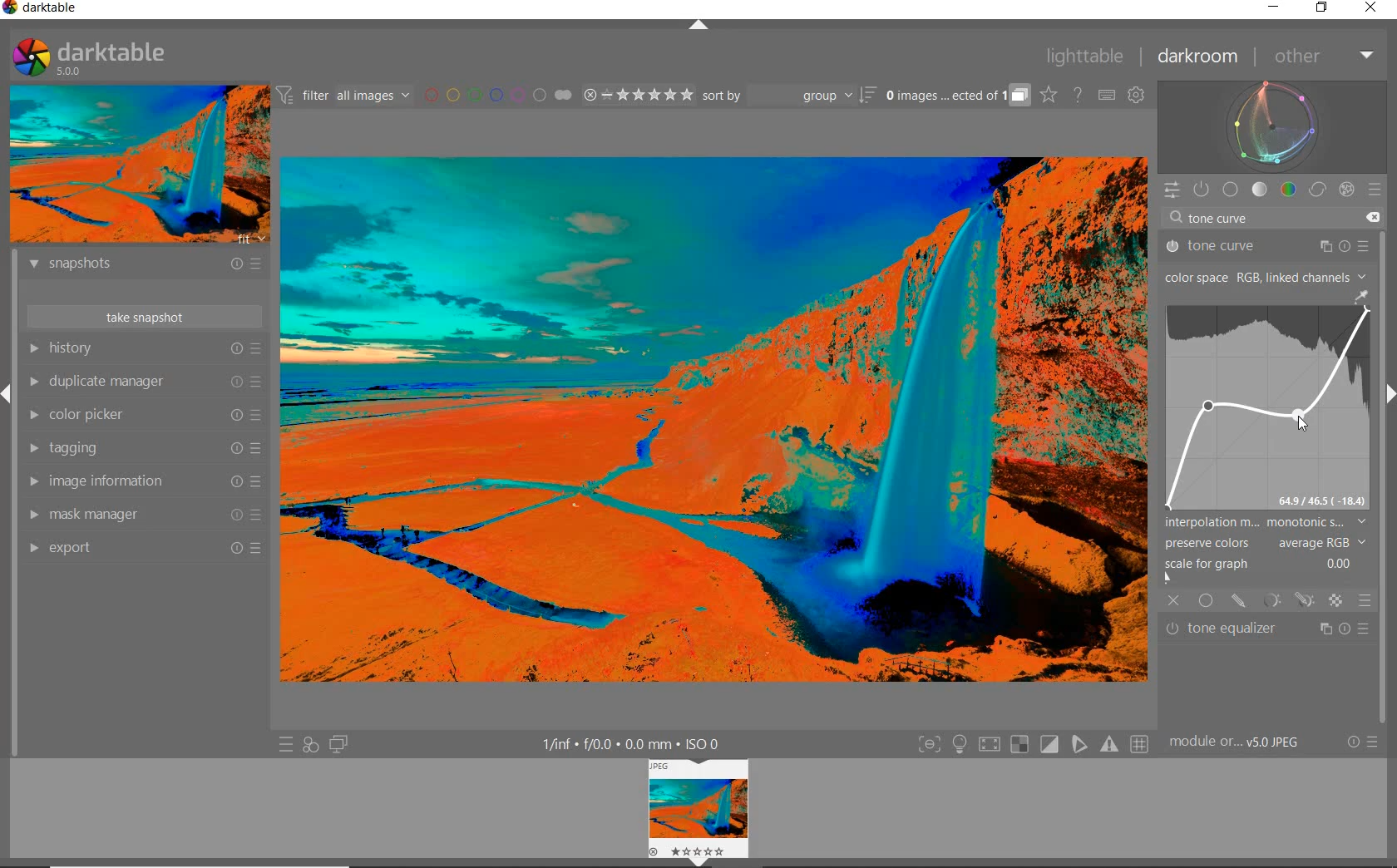 The image size is (1397, 868). I want to click on tone curve, so click(1267, 220).